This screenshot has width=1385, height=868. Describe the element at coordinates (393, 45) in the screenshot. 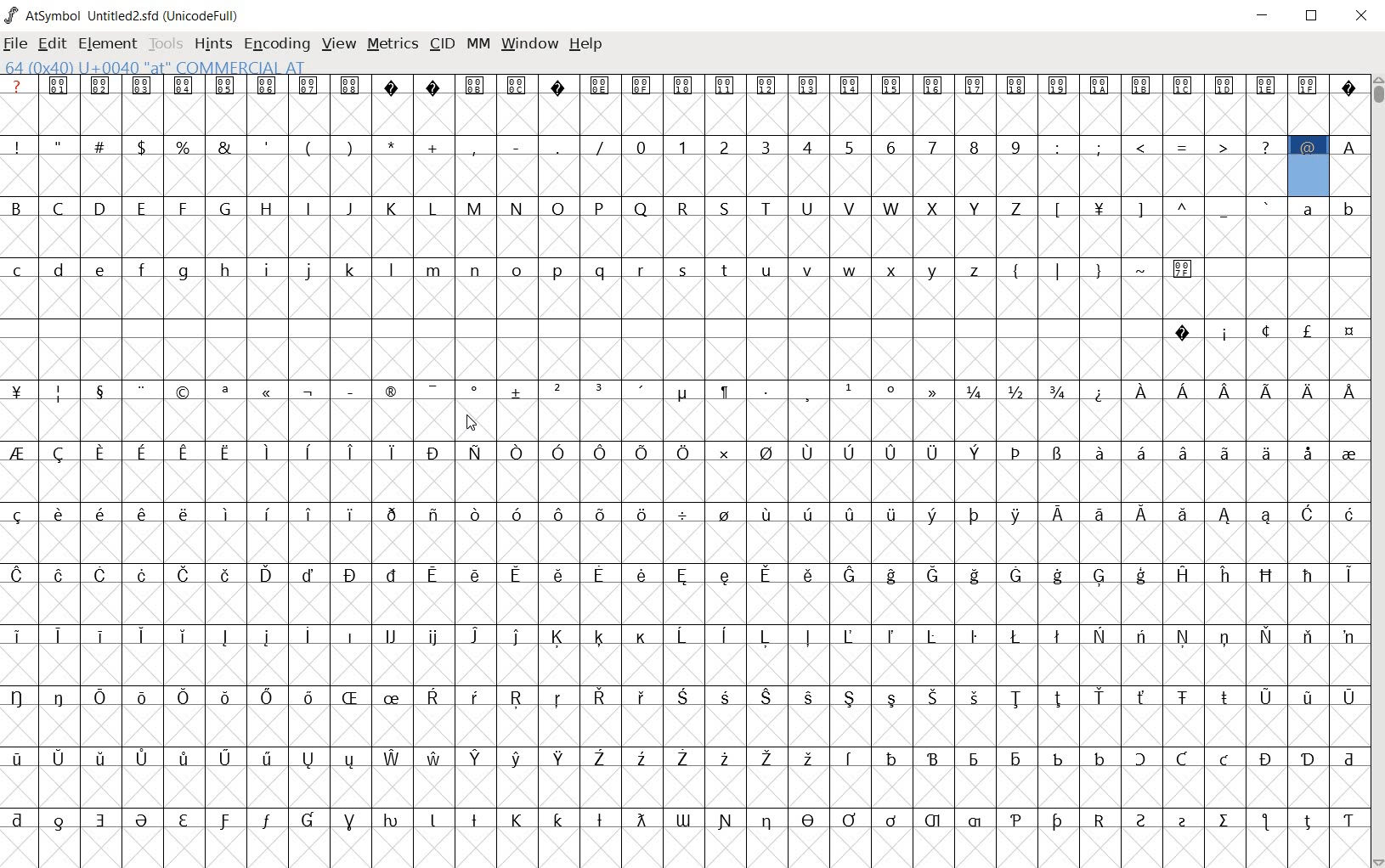

I see `metrics` at that location.